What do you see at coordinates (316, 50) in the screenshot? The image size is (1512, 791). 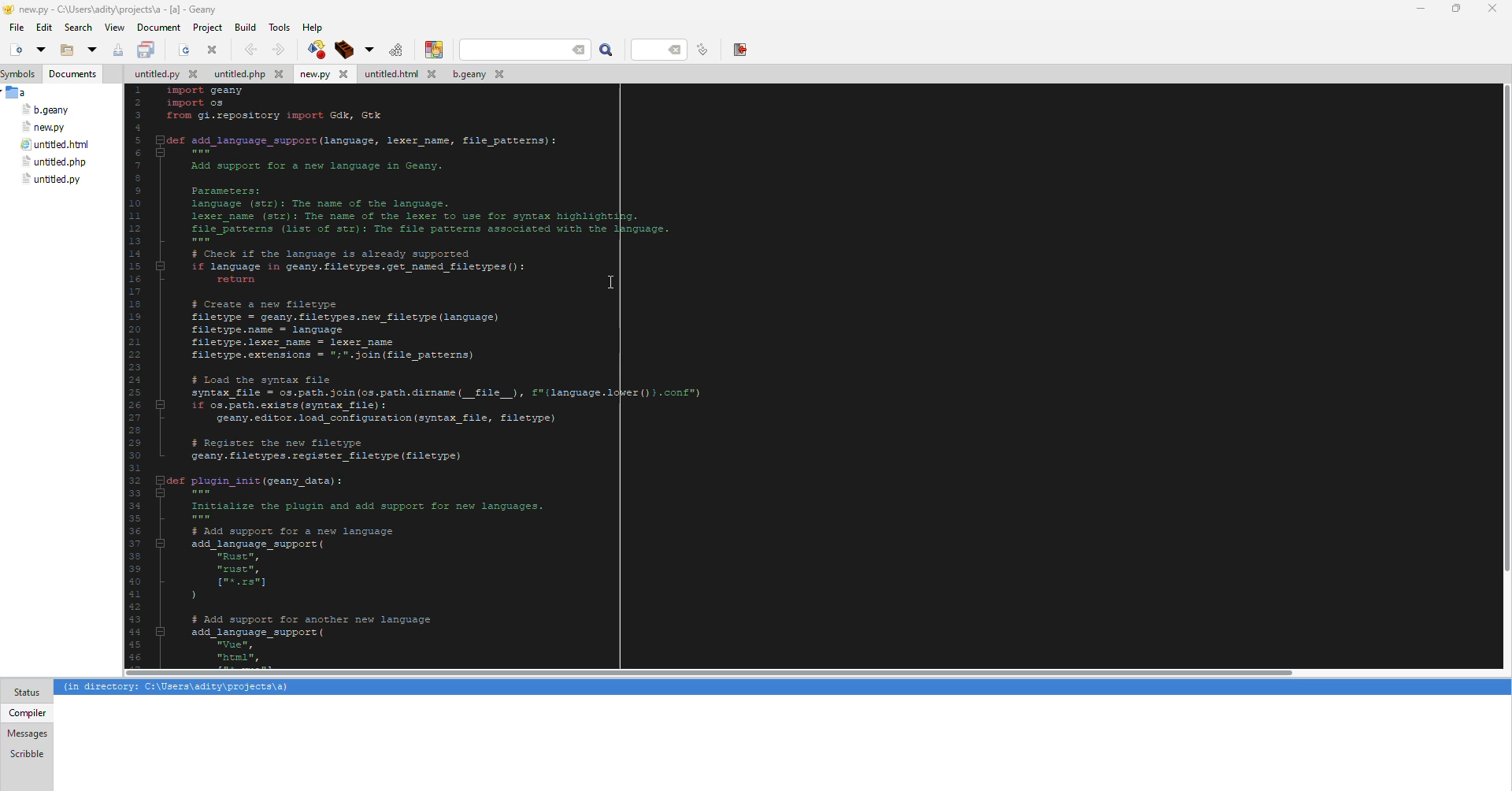 I see `build` at bounding box center [316, 50].